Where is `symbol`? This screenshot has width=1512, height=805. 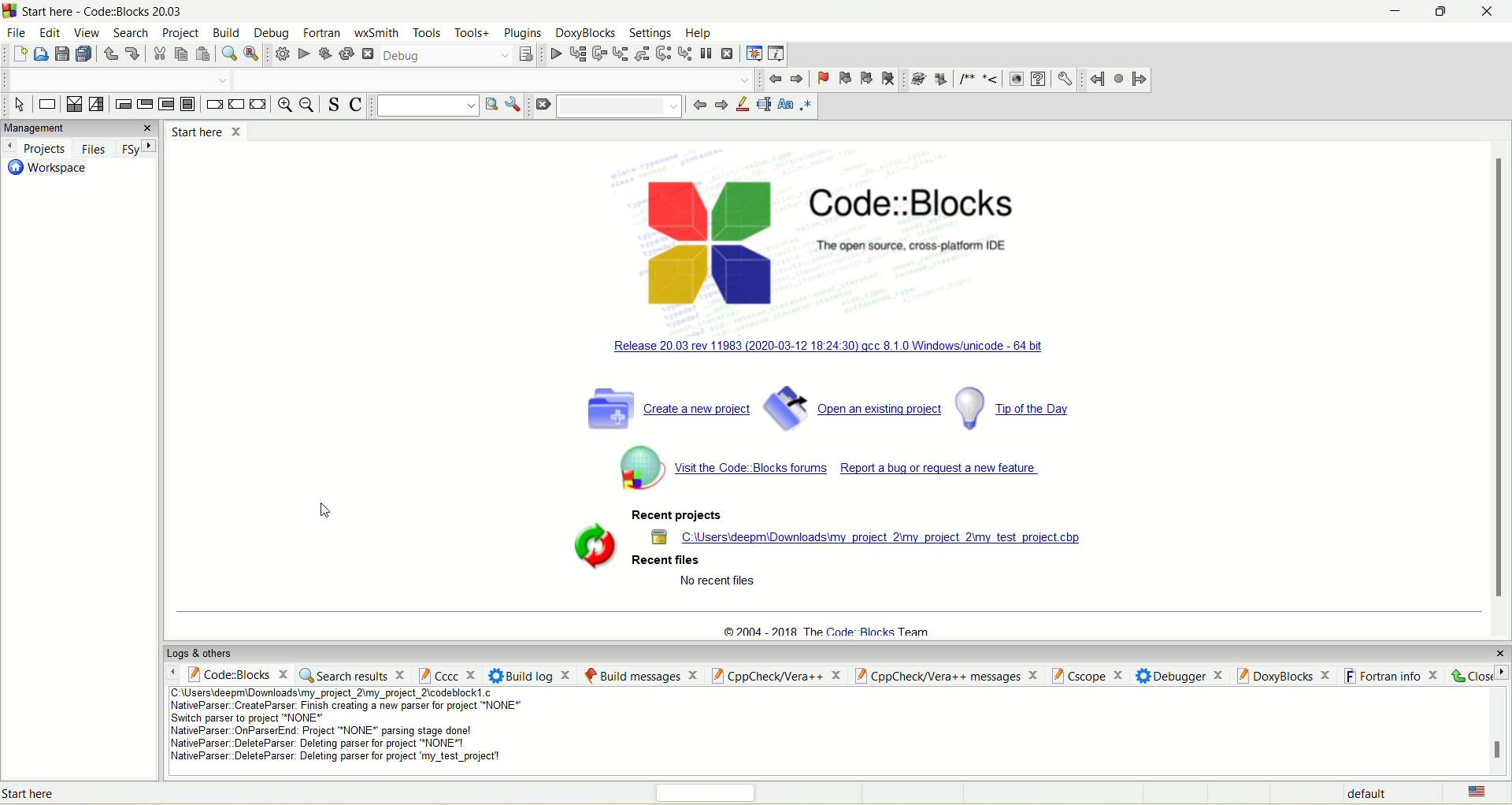 symbol is located at coordinates (597, 547).